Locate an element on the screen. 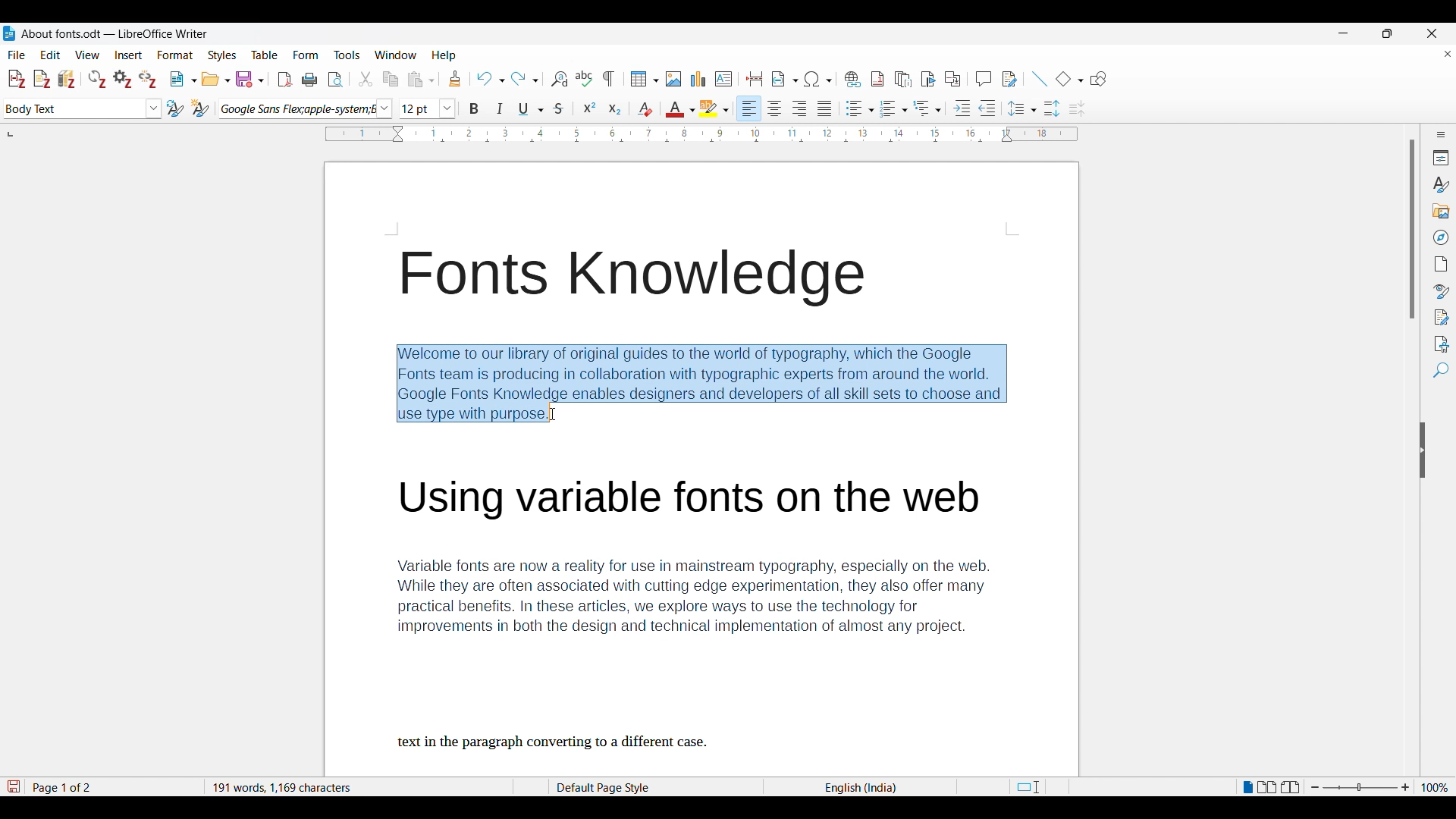 Image resolution: width=1456 pixels, height=819 pixels. Edit menu is located at coordinates (50, 55).